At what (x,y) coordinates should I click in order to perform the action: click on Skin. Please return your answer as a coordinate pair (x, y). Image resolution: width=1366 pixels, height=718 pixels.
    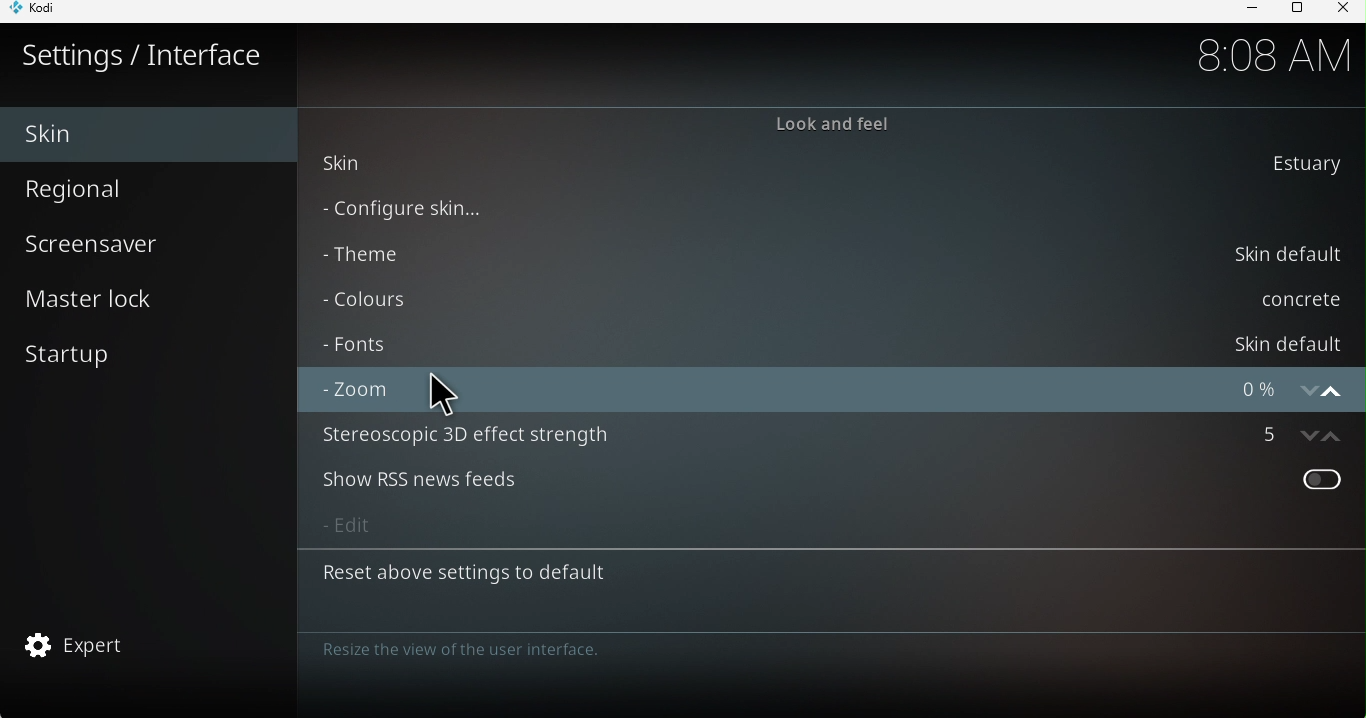
    Looking at the image, I should click on (138, 134).